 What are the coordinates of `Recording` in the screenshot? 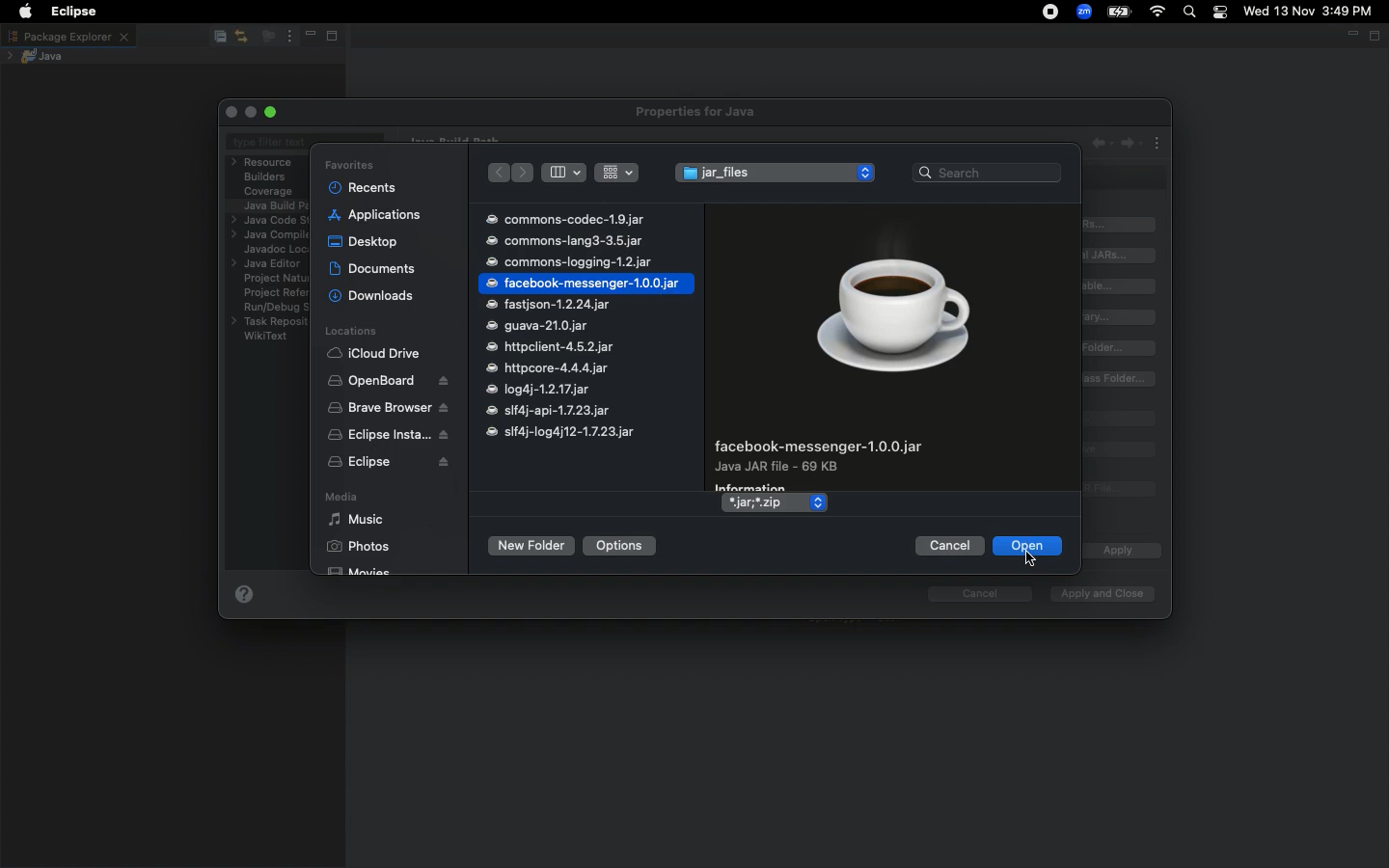 It's located at (1051, 14).